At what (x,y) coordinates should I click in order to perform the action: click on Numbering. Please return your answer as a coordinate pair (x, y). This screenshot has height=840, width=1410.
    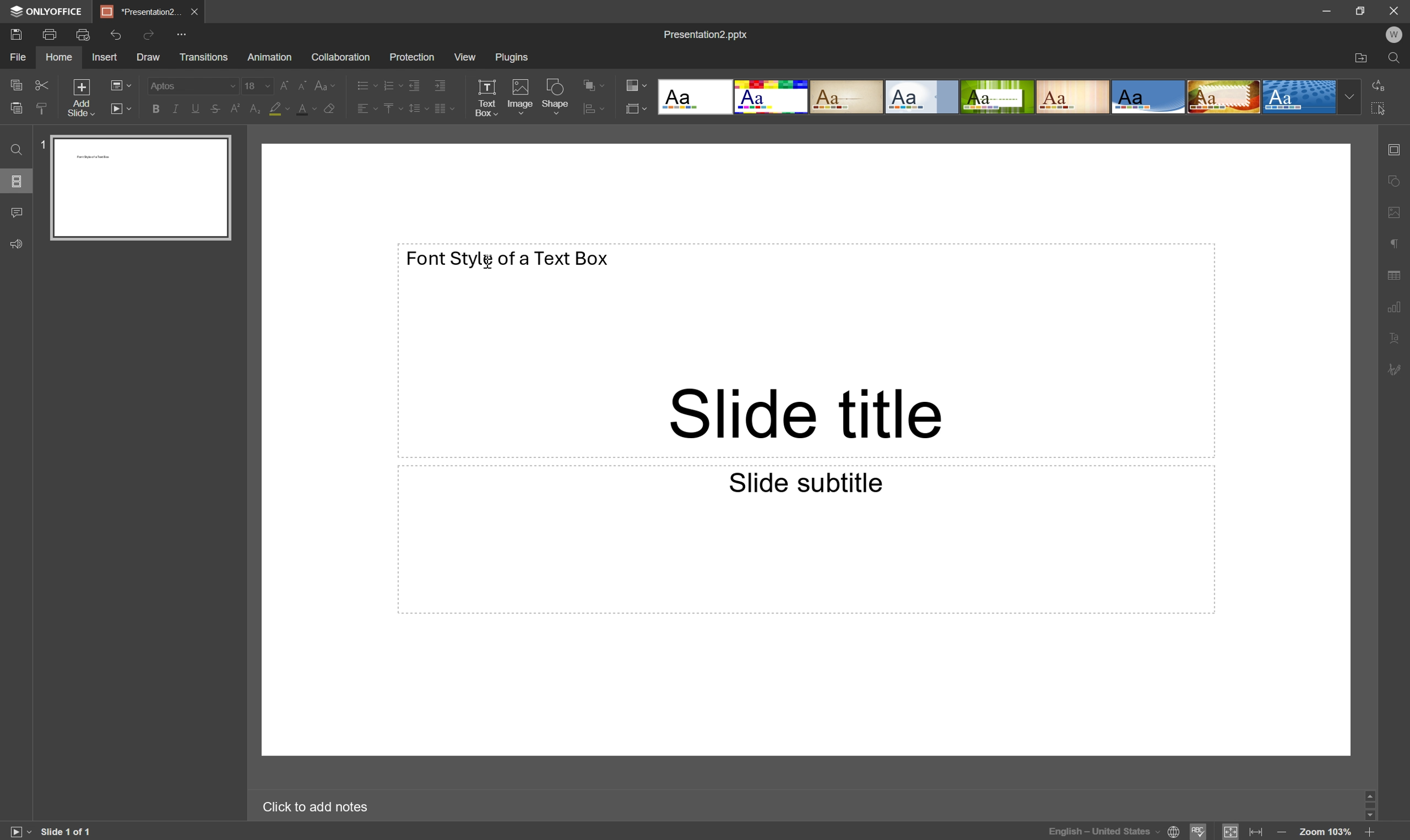
    Looking at the image, I should click on (390, 82).